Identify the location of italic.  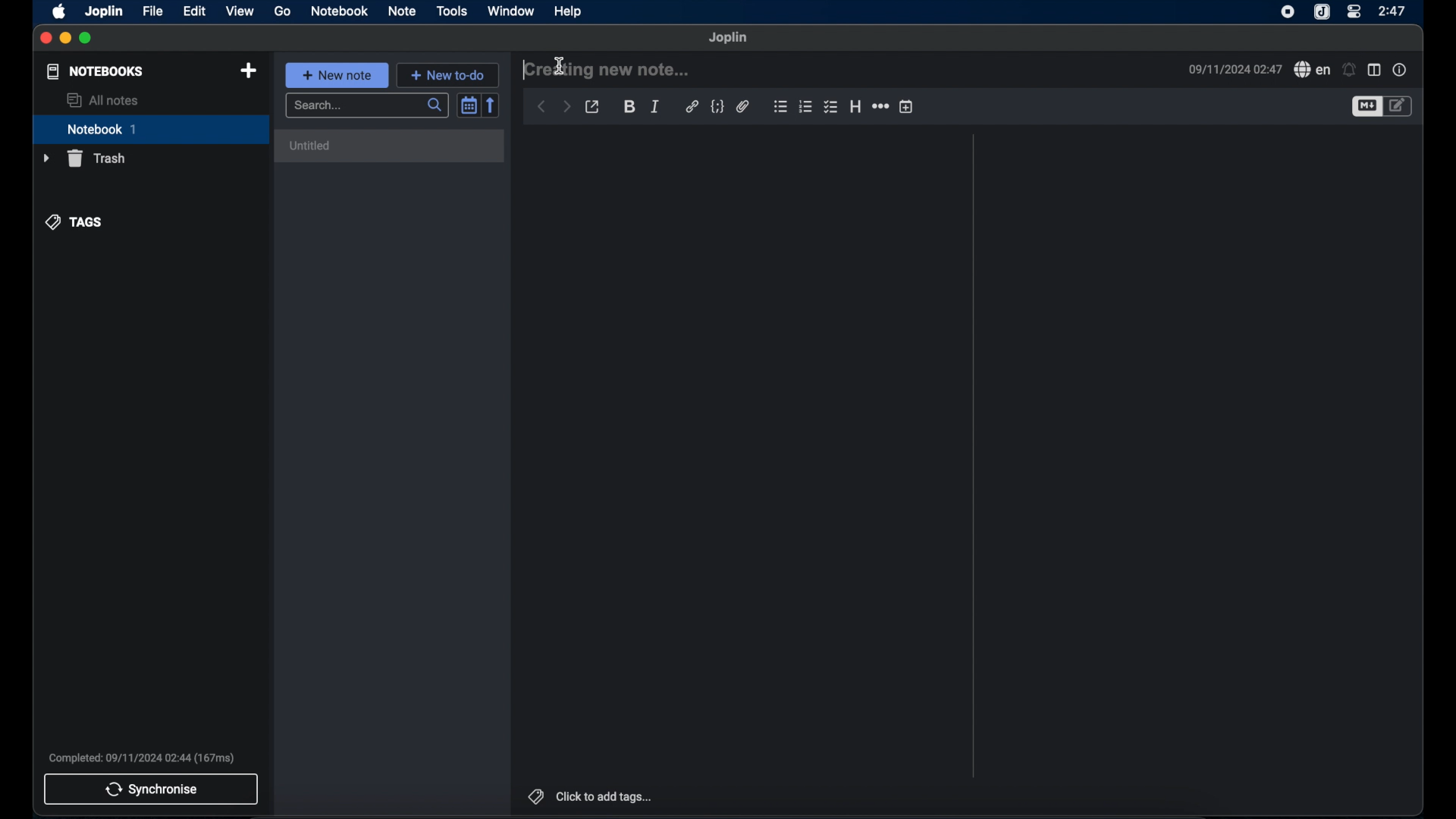
(653, 107).